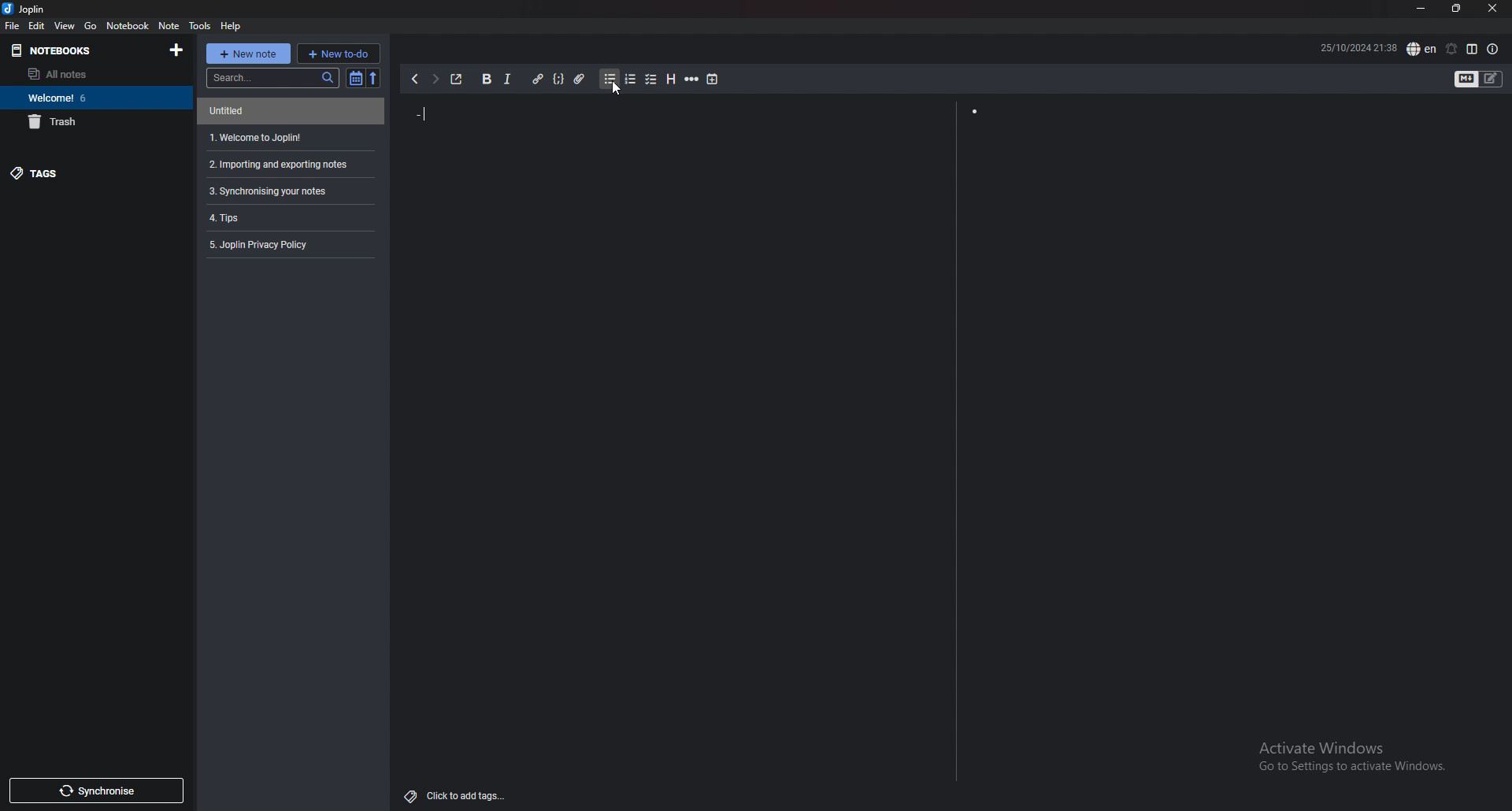  What do you see at coordinates (34, 172) in the screenshot?
I see `Tags` at bounding box center [34, 172].